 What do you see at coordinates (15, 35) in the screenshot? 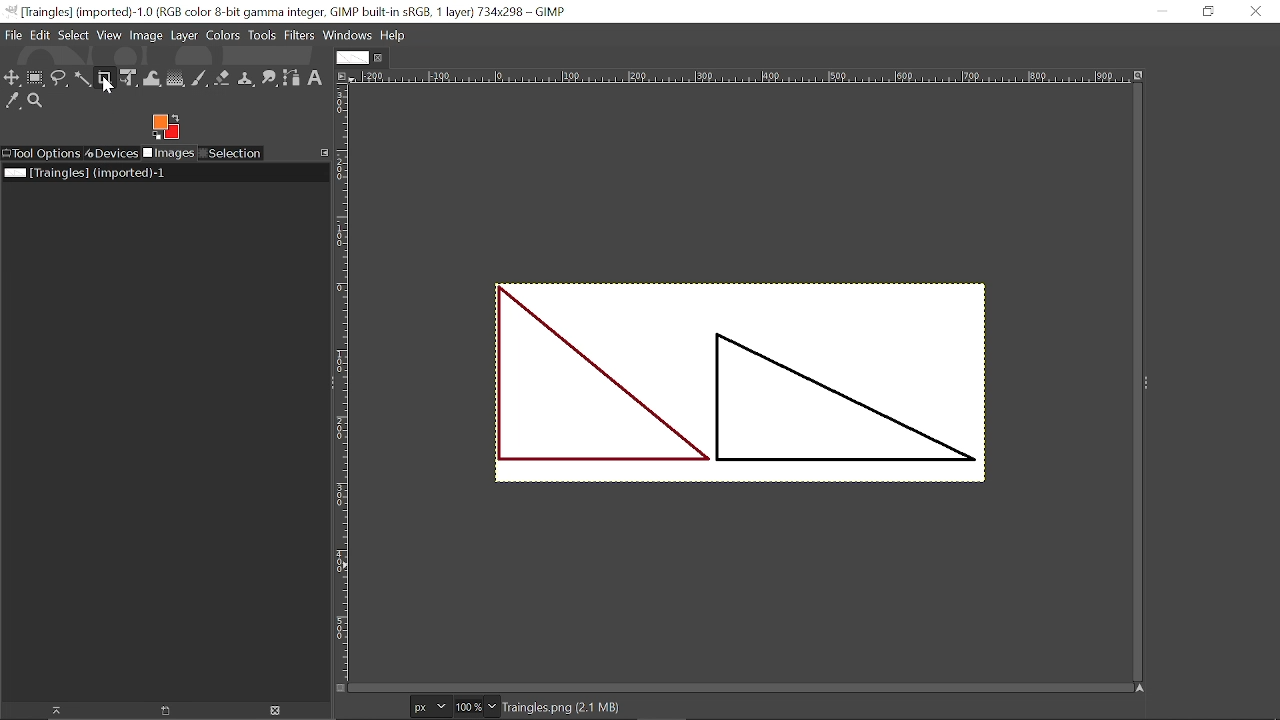
I see `File` at bounding box center [15, 35].